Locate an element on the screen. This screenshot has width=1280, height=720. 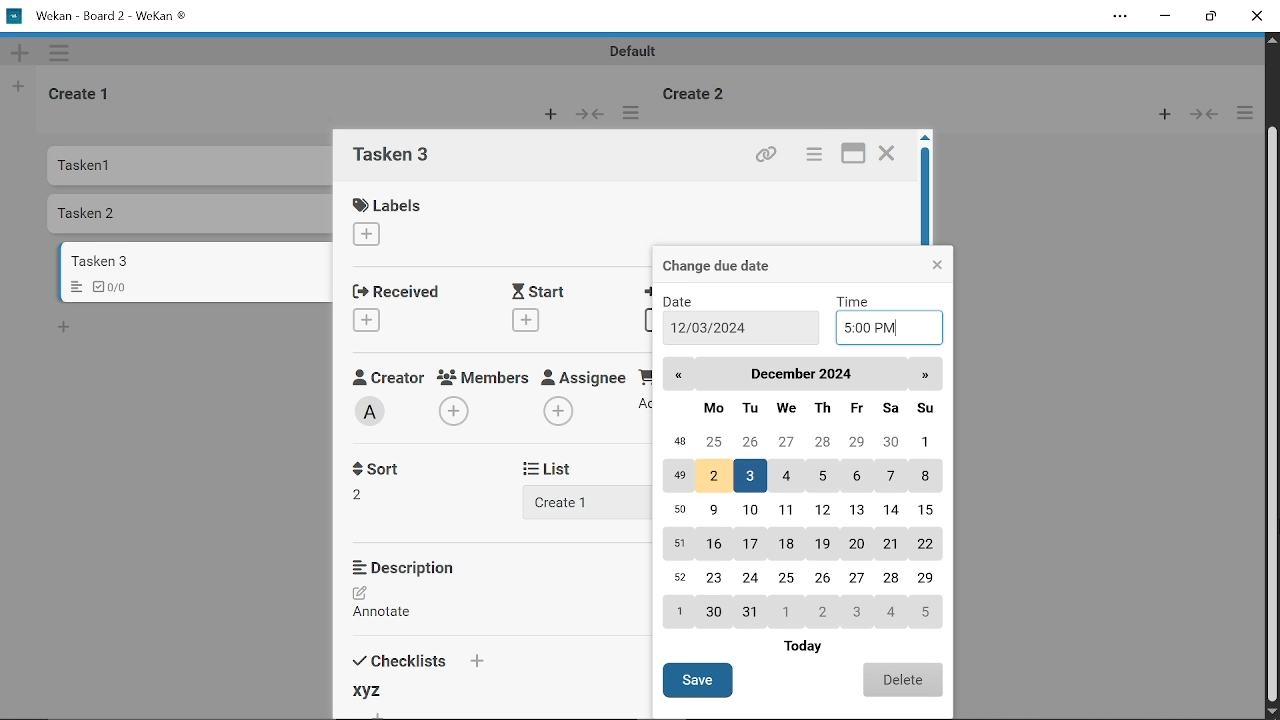
Creator  is located at coordinates (373, 412).